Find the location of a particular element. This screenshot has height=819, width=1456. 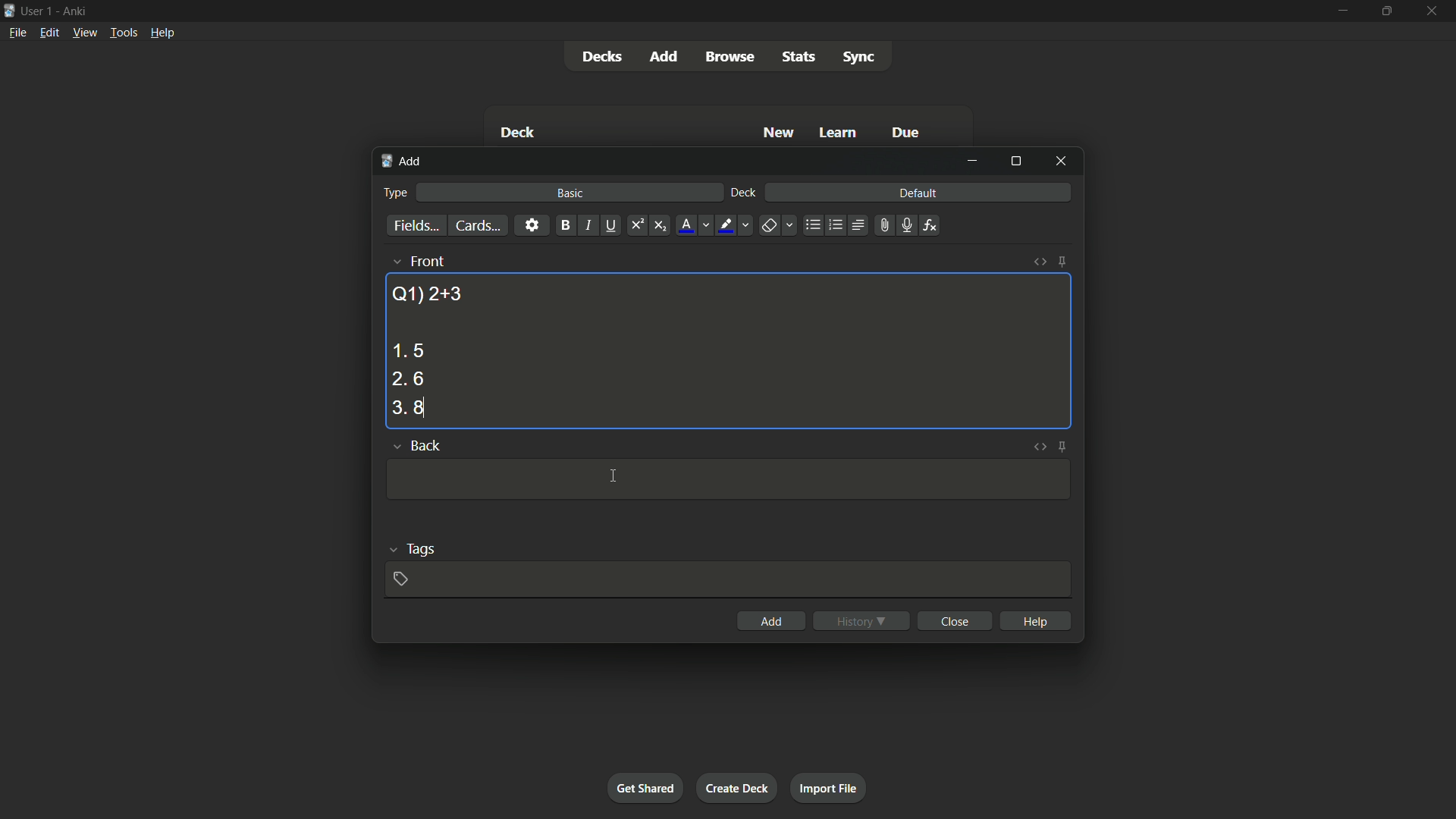

equations is located at coordinates (930, 225).